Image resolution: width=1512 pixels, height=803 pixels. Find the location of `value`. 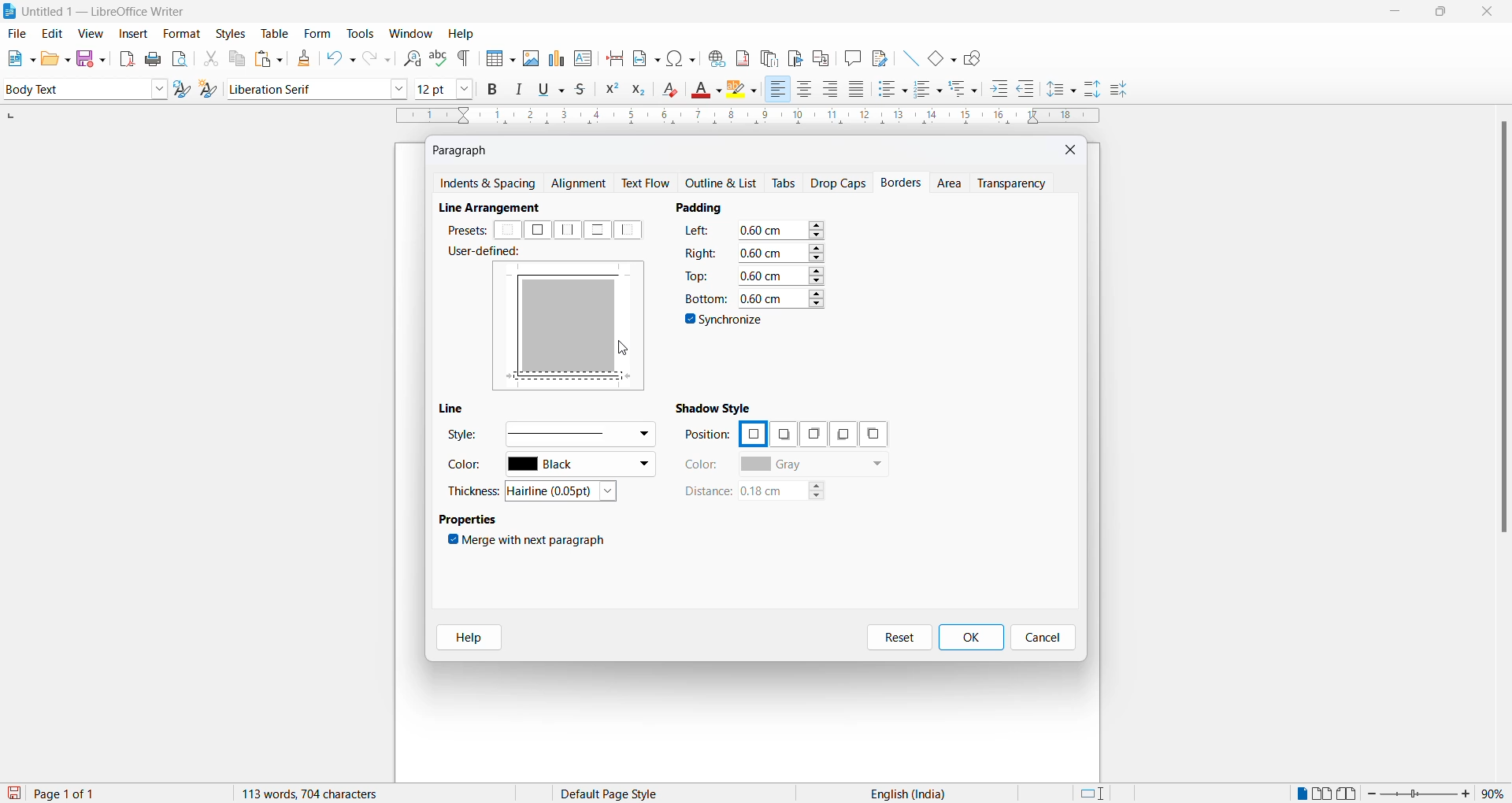

value is located at coordinates (781, 274).